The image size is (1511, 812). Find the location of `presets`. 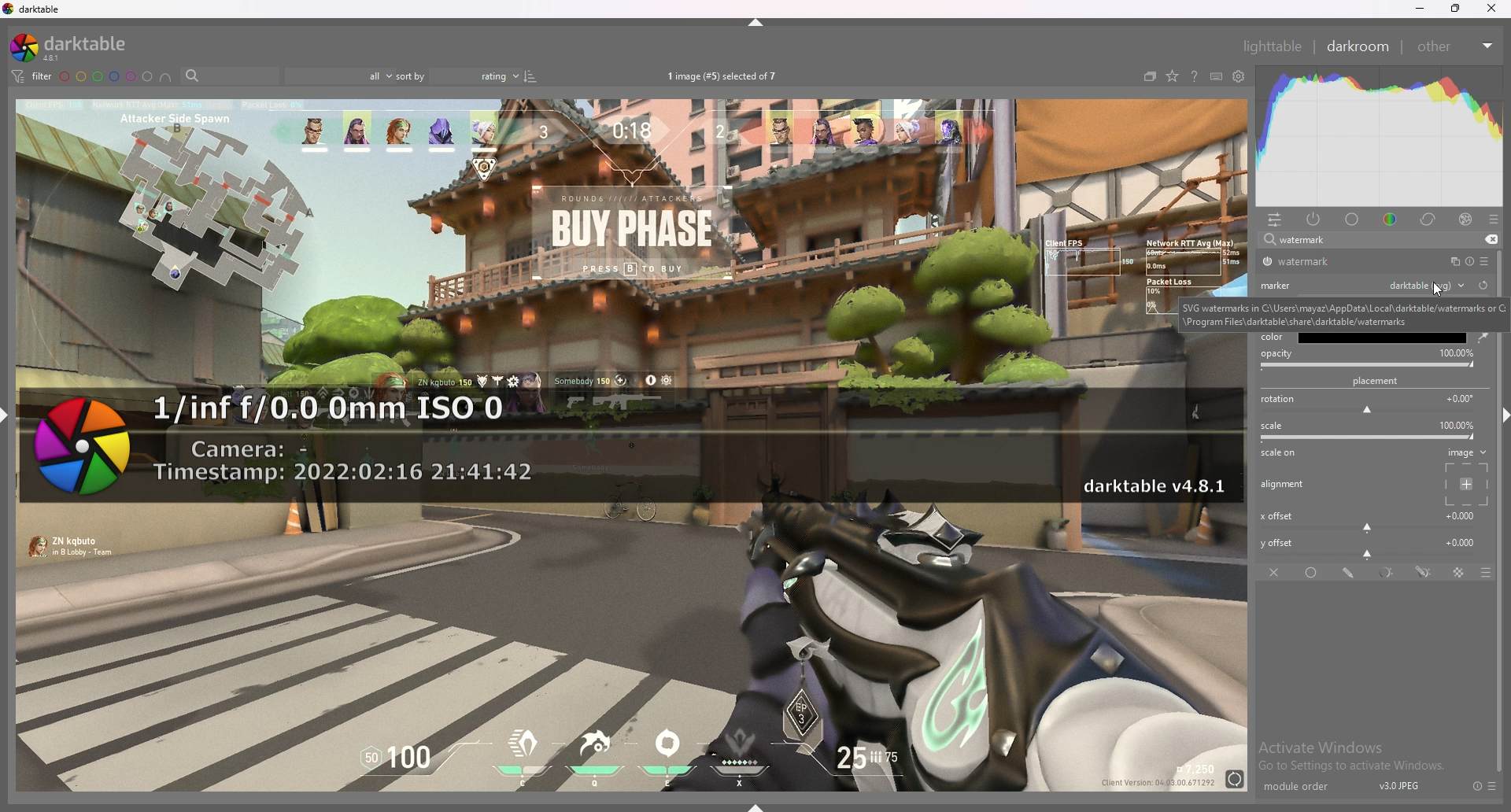

presets is located at coordinates (1494, 220).